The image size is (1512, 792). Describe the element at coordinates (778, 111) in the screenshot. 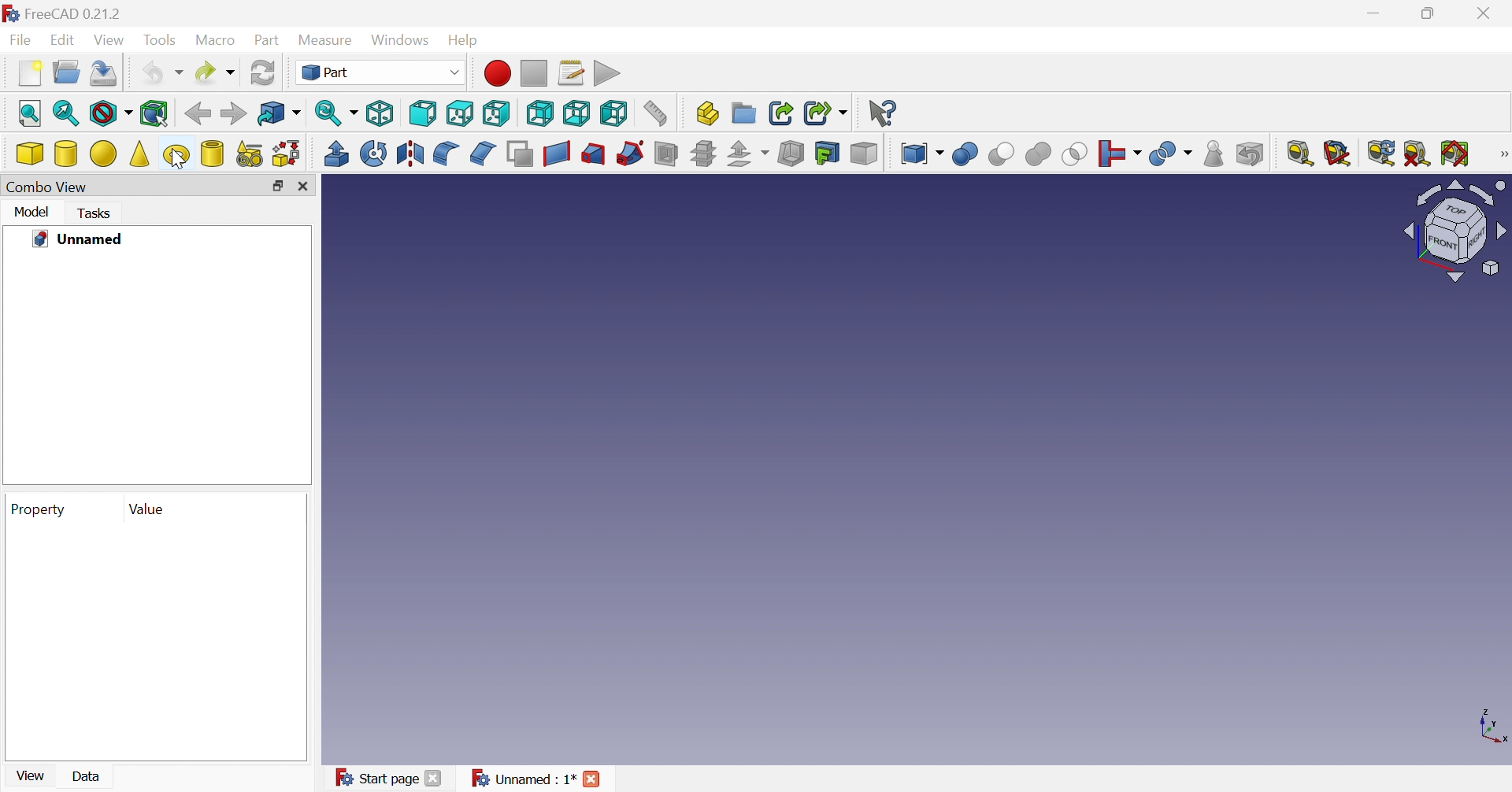

I see `Make link` at that location.